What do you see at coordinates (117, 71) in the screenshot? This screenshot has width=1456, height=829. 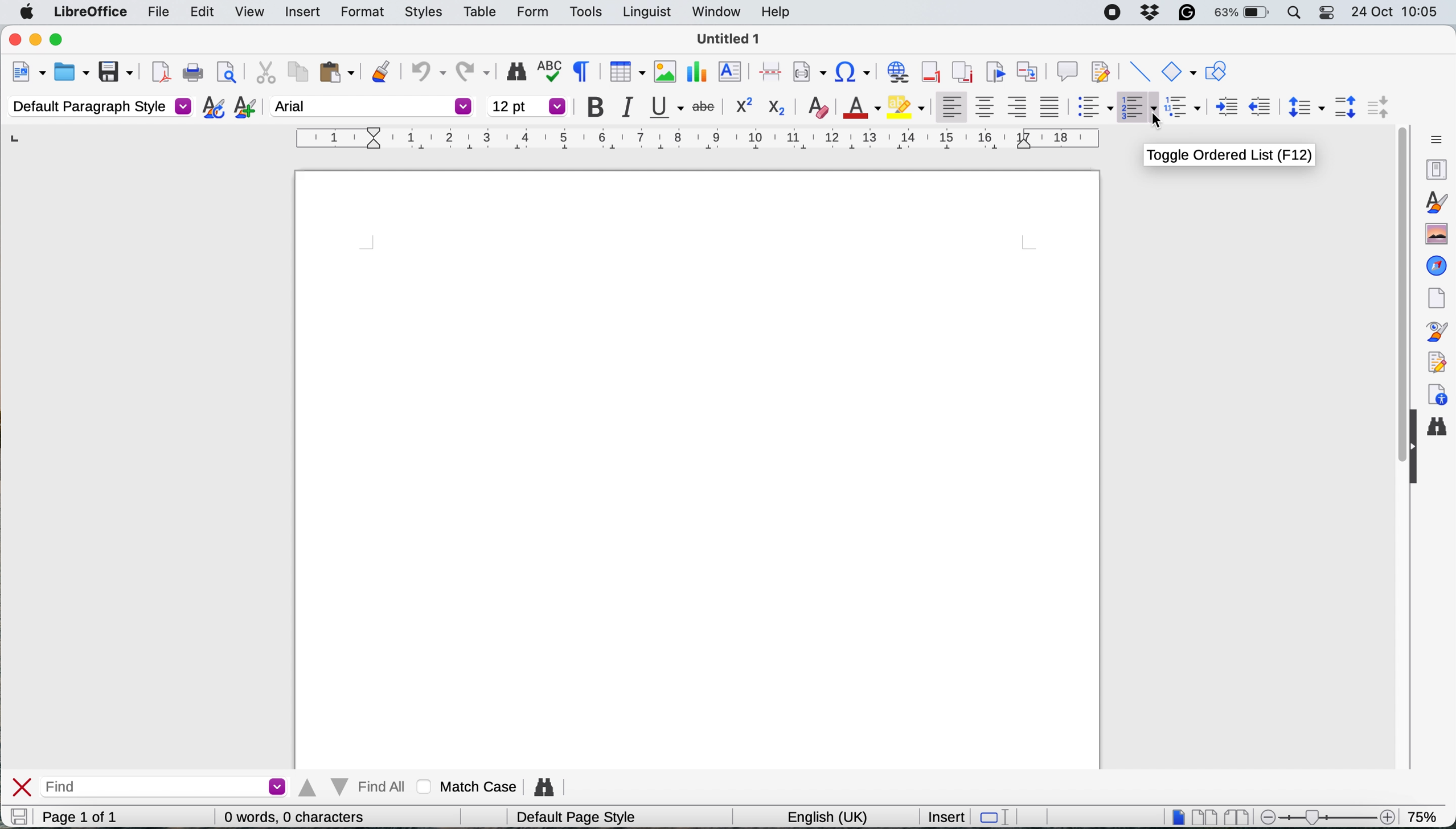 I see `save` at bounding box center [117, 71].